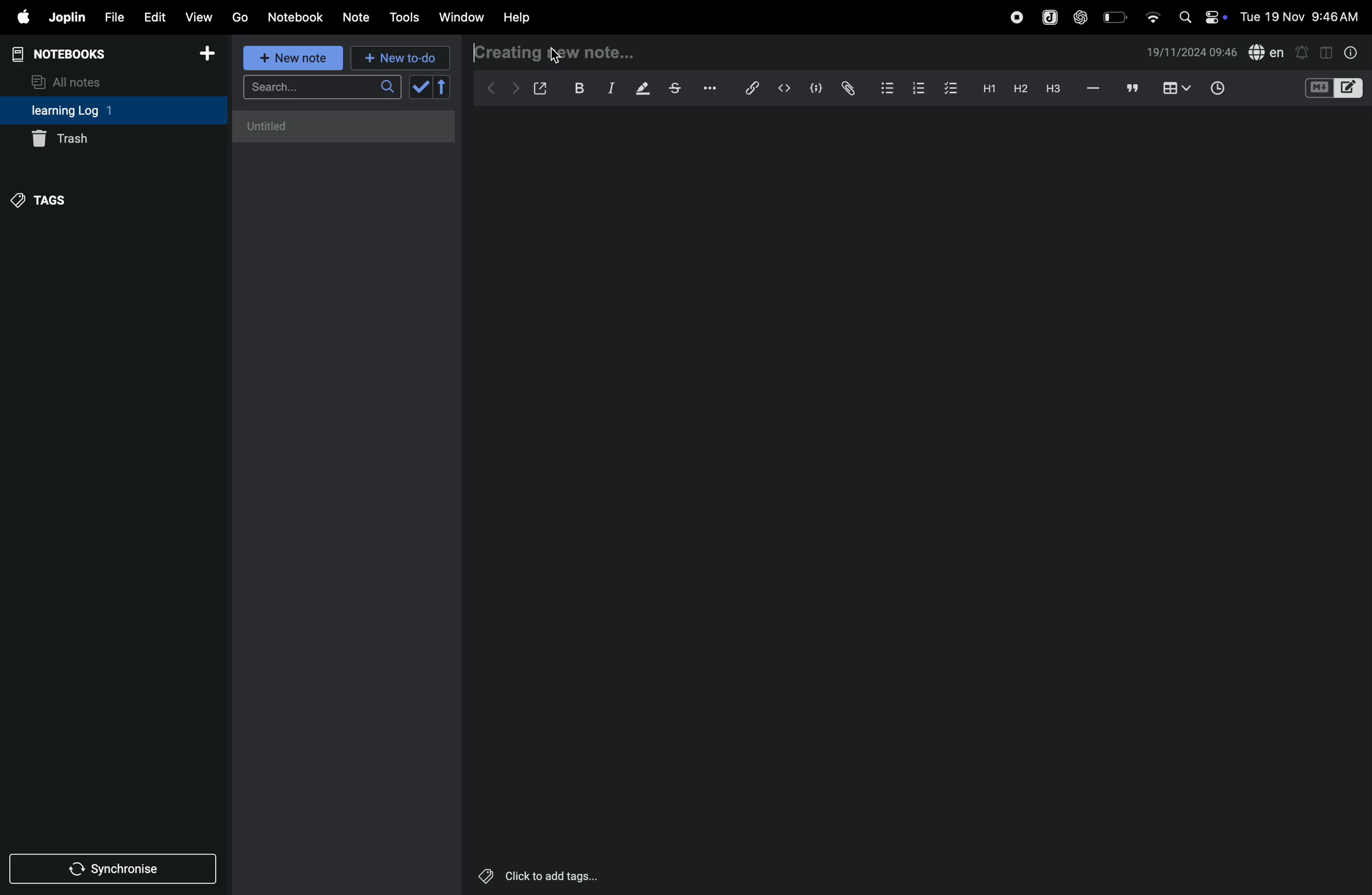 The image size is (1372, 895). I want to click on wifi, so click(1152, 13).